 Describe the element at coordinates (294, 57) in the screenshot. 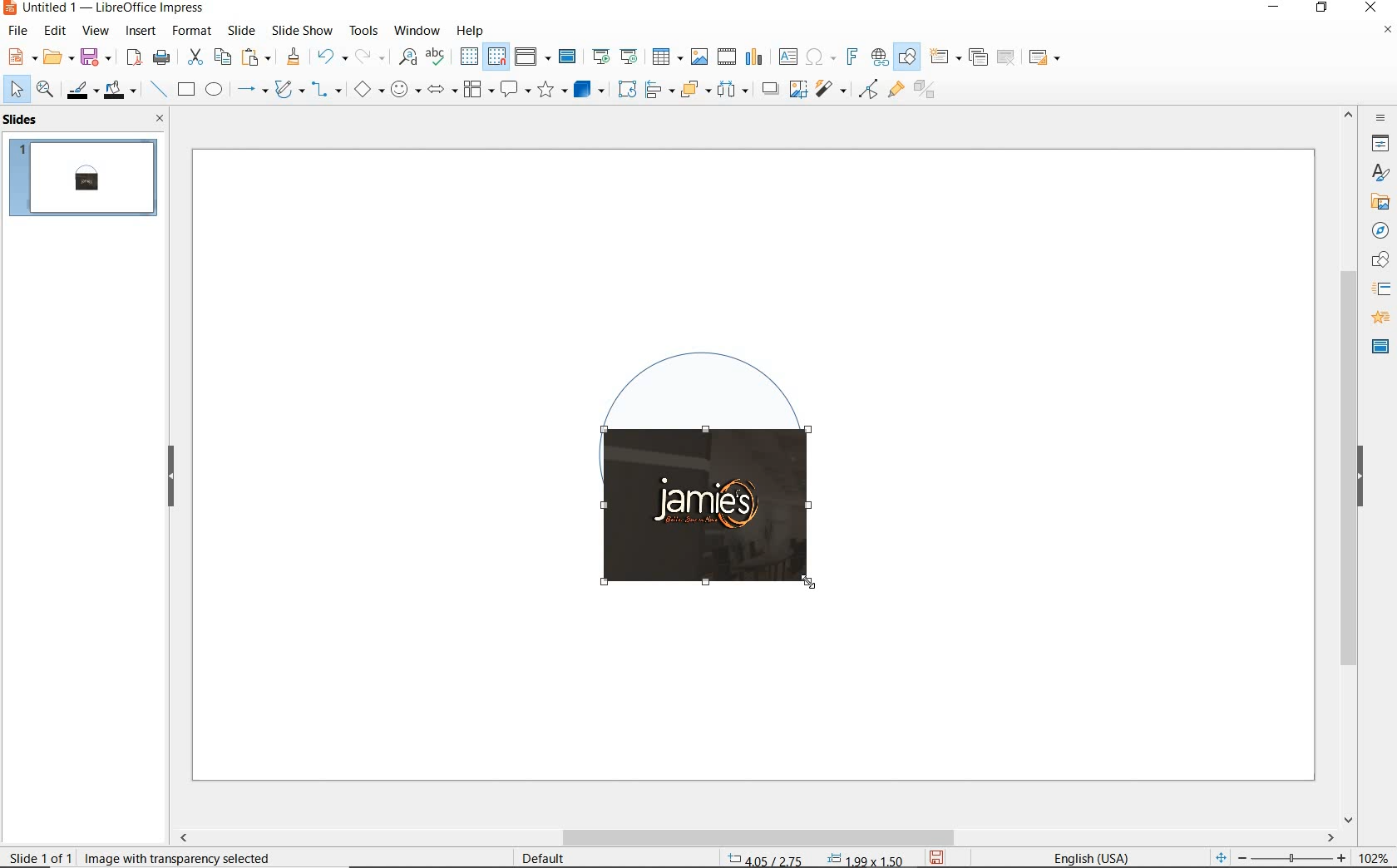

I see `clone formatting` at that location.